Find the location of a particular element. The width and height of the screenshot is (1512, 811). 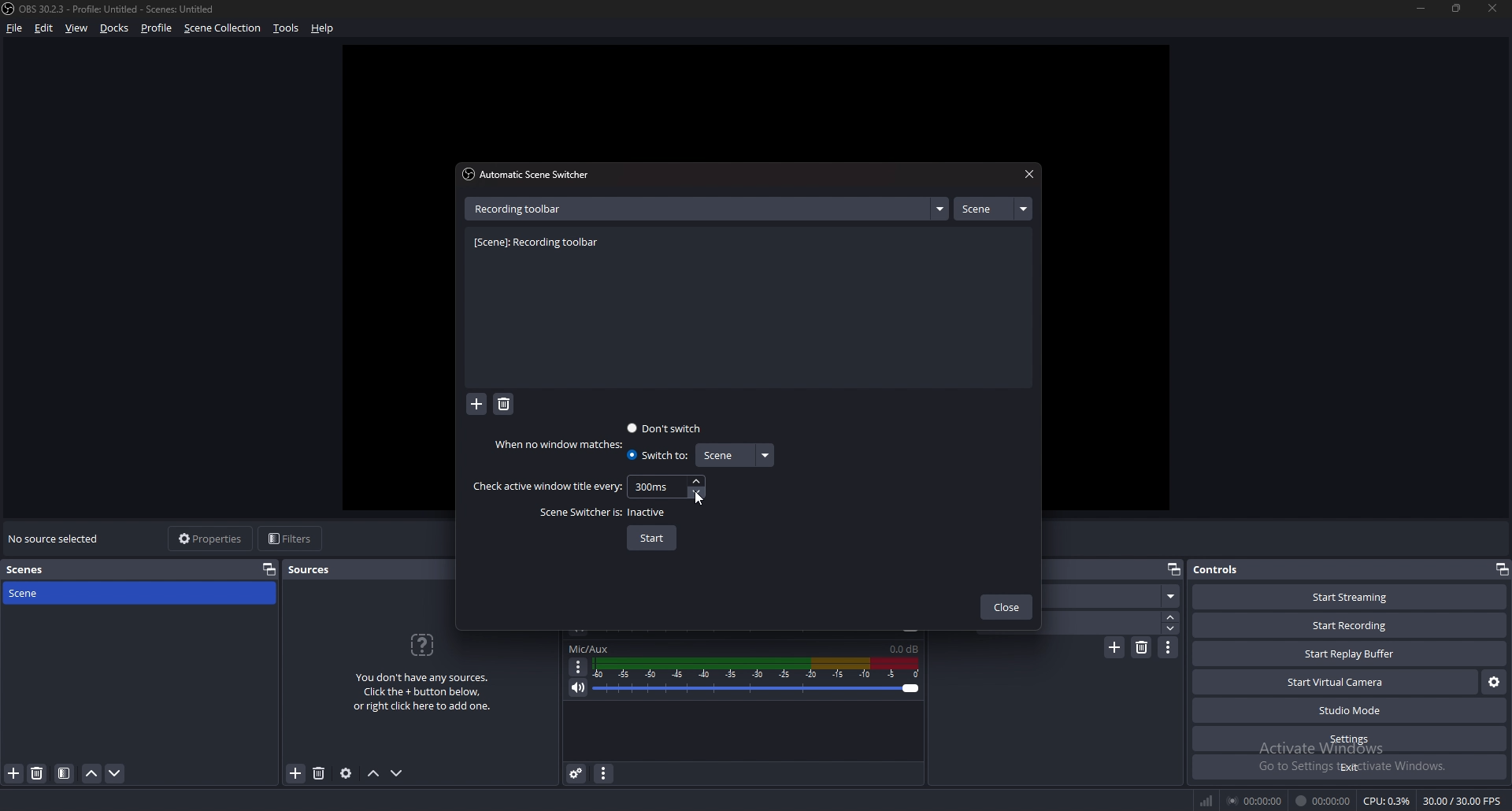

view is located at coordinates (77, 28).